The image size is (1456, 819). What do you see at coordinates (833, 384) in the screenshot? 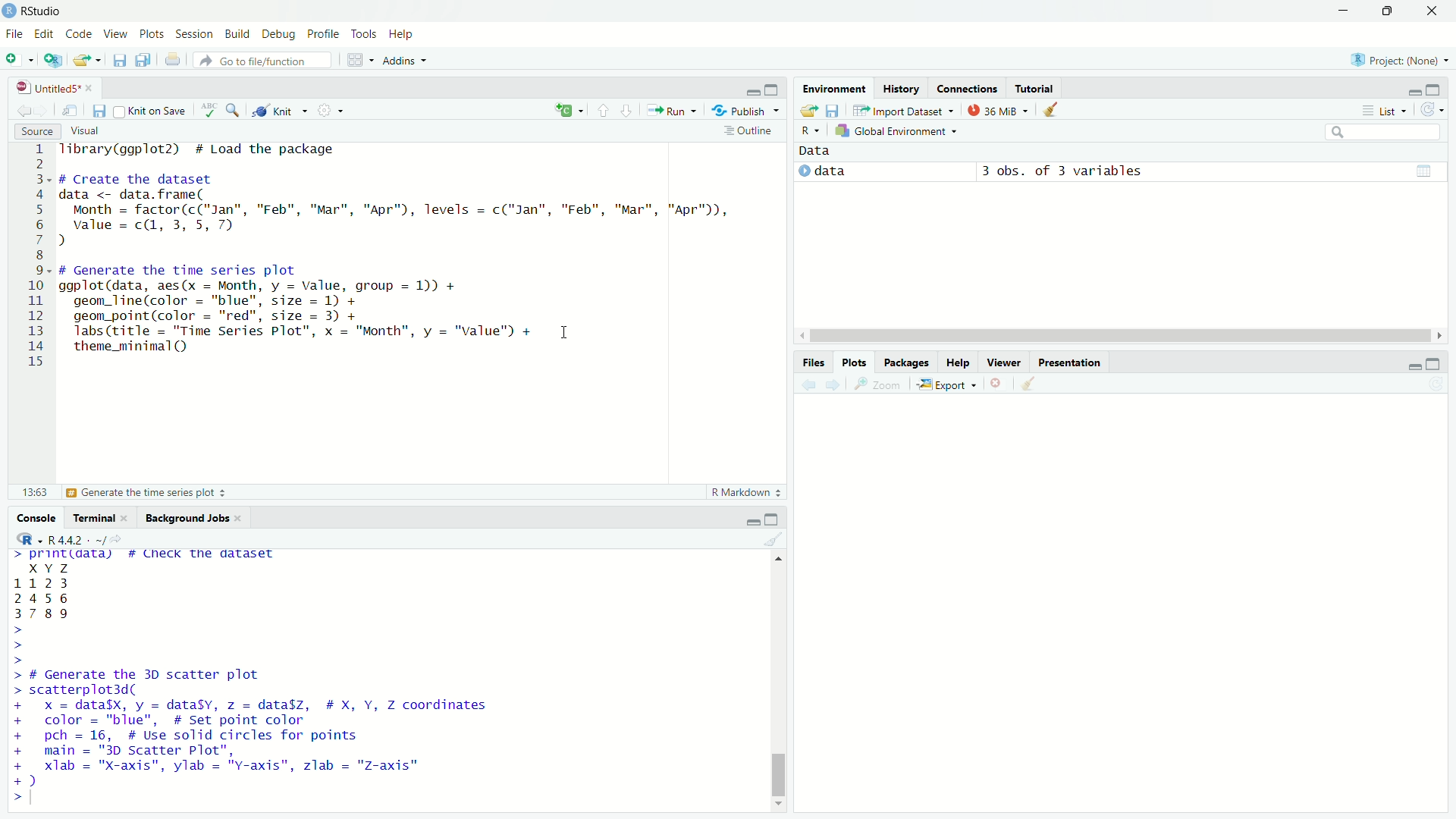
I see `next plot` at bounding box center [833, 384].